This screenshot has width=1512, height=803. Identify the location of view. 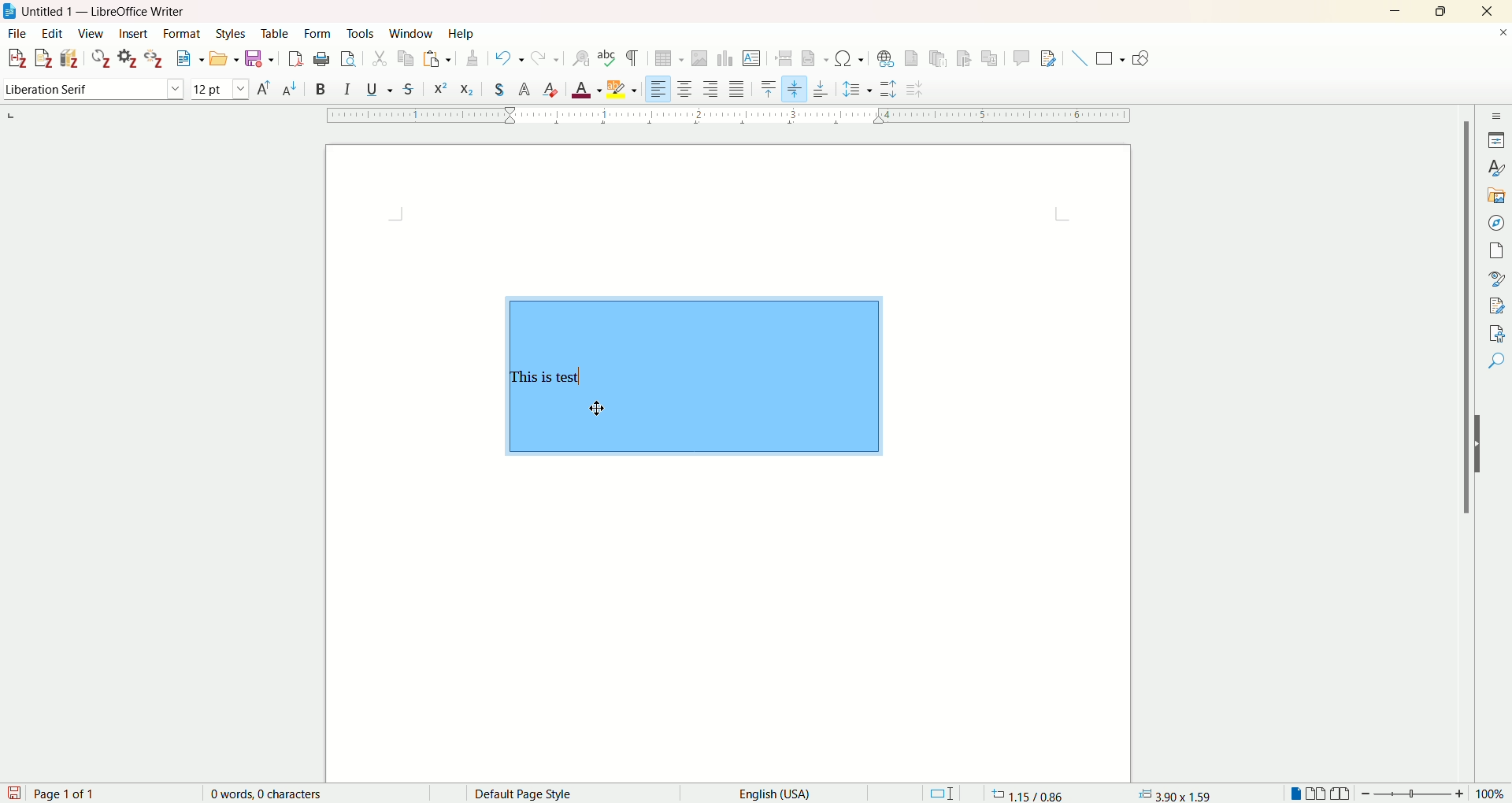
(93, 32).